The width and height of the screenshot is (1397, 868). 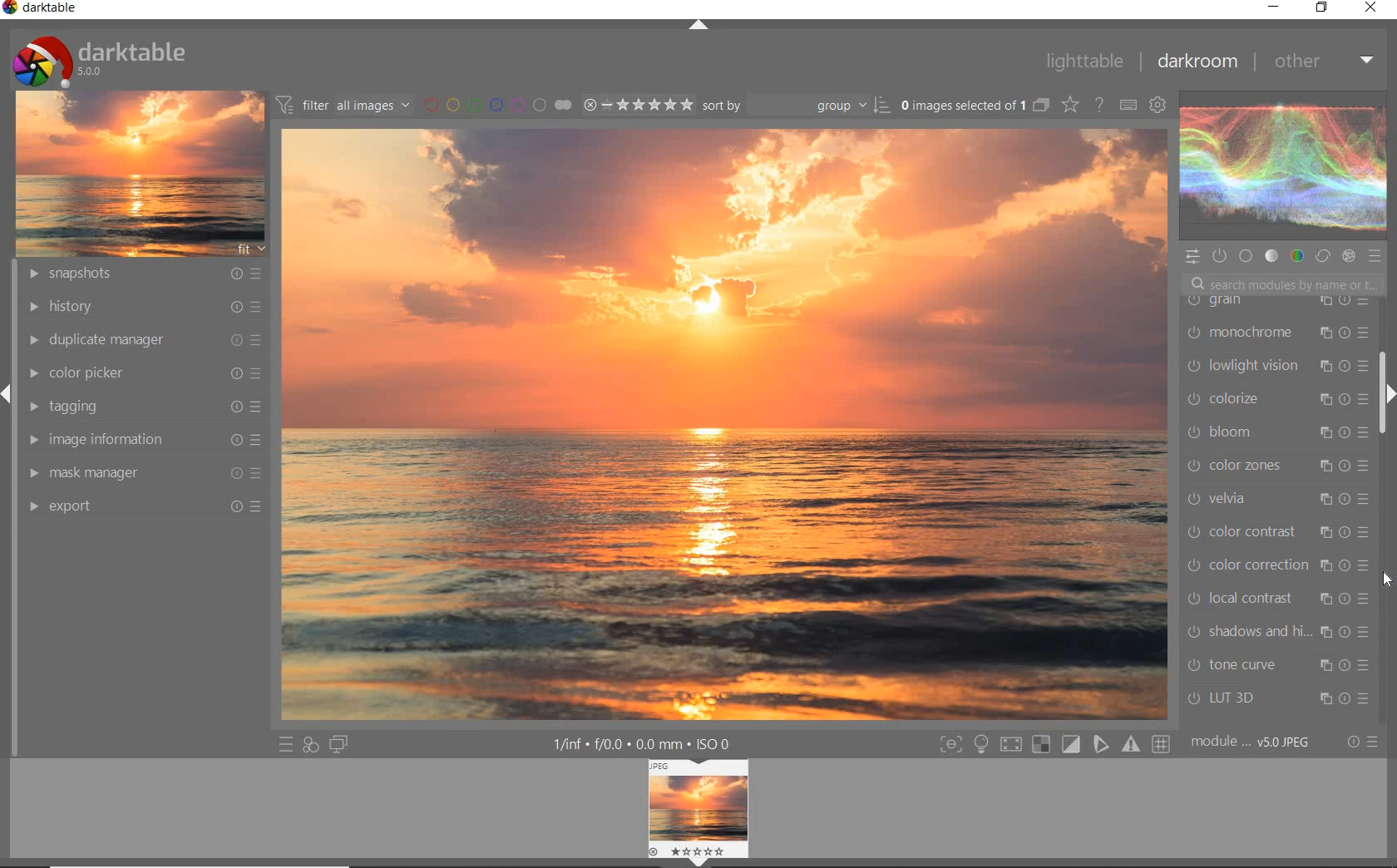 I want to click on monochrome, so click(x=1276, y=334).